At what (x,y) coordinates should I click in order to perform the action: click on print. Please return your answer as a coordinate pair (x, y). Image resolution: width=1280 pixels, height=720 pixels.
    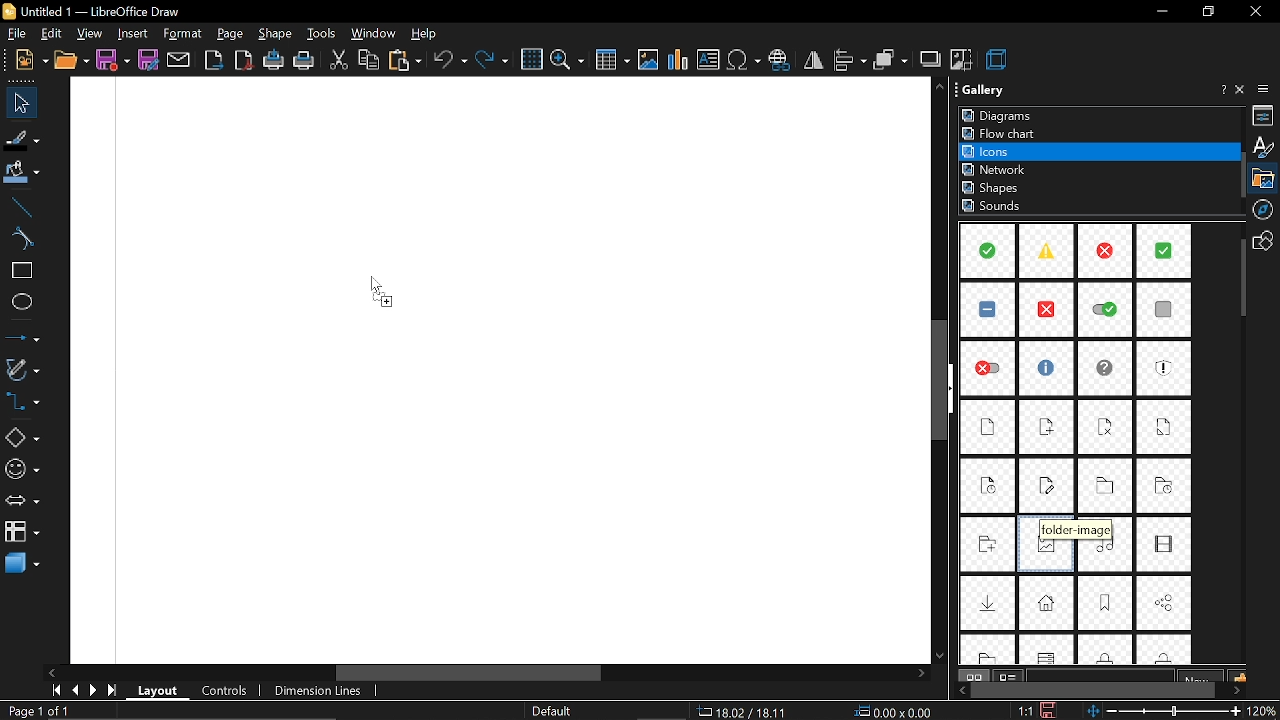
    Looking at the image, I should click on (305, 60).